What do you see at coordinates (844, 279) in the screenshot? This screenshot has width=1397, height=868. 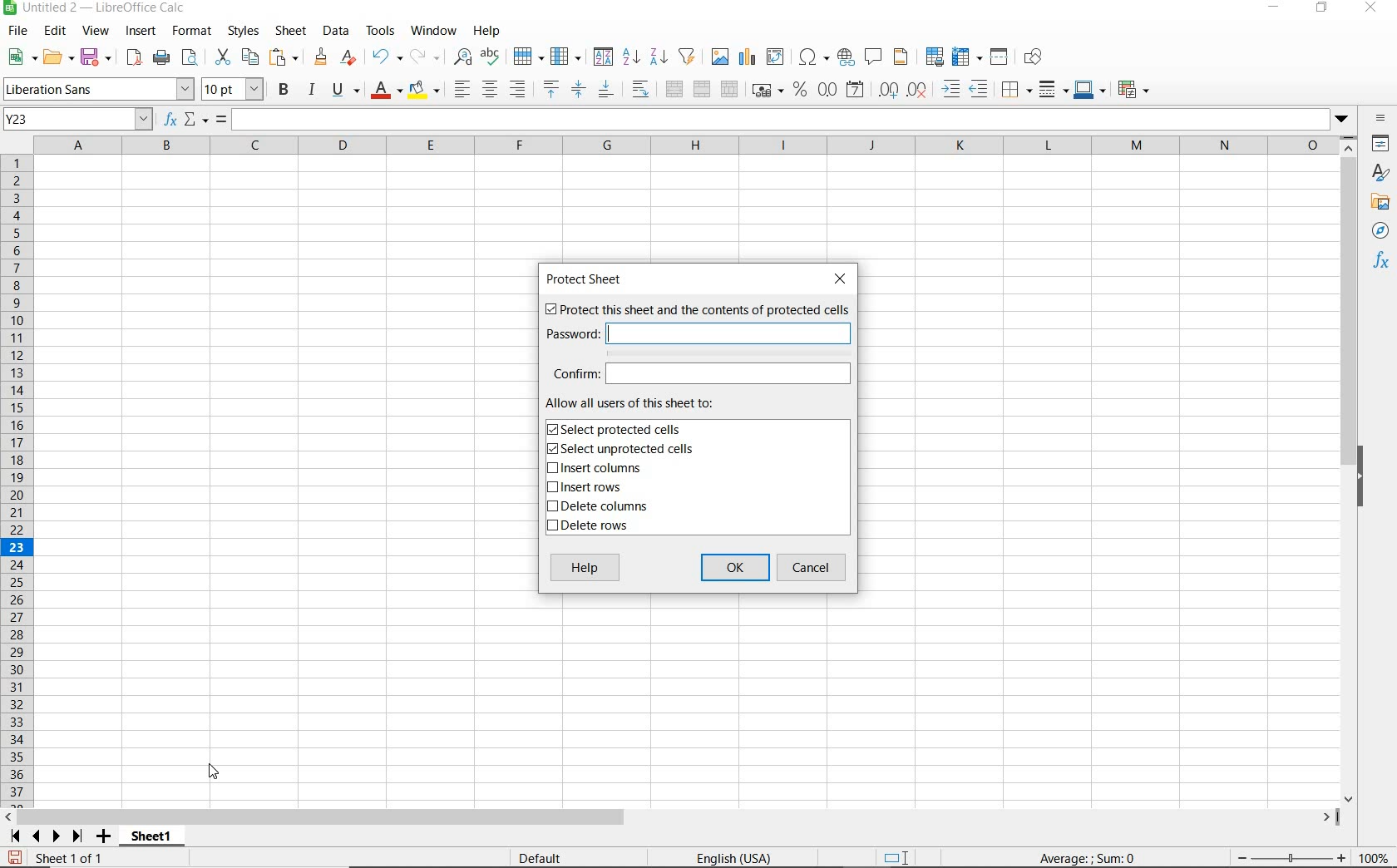 I see `CLOSE` at bounding box center [844, 279].